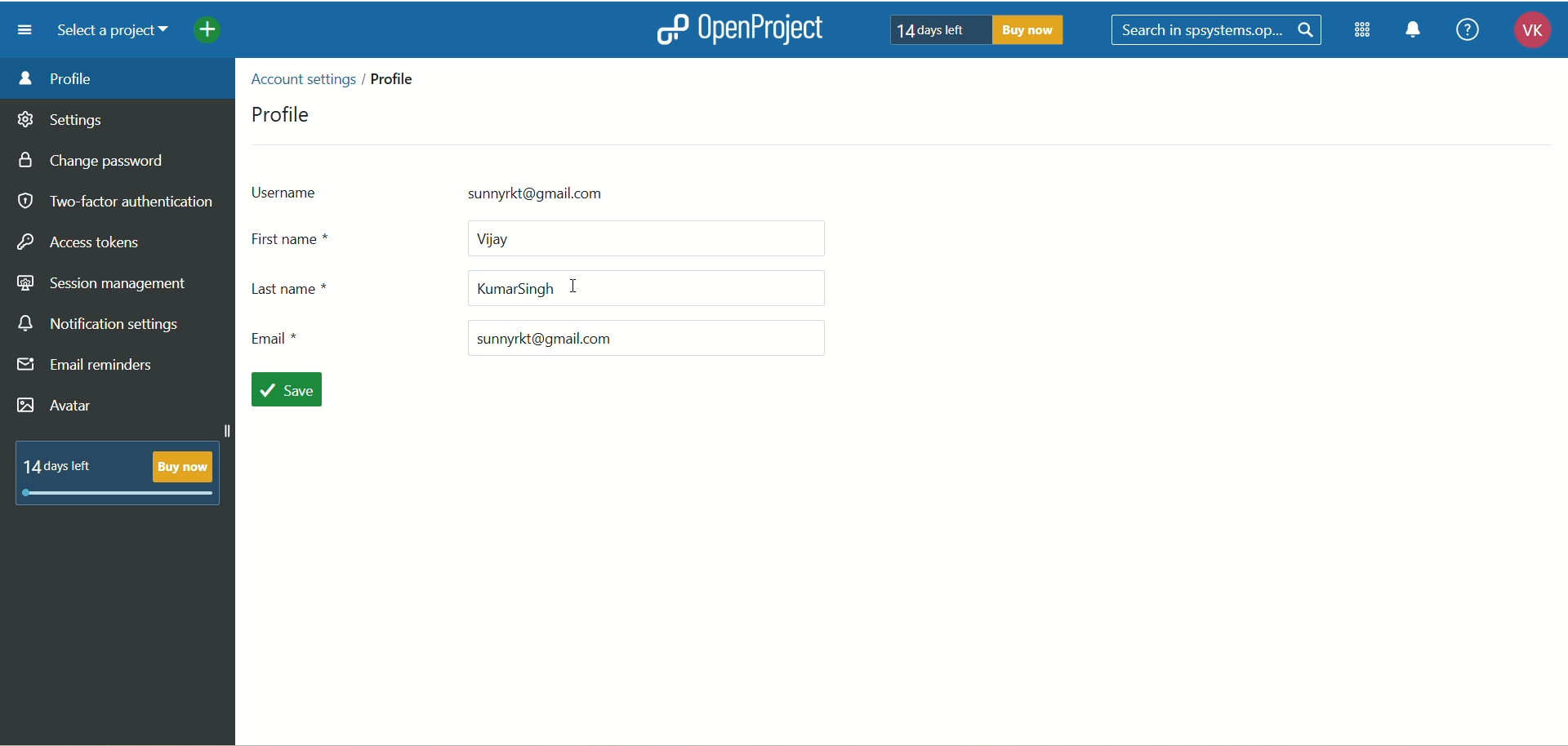  Describe the element at coordinates (770, 31) in the screenshot. I see `openproject` at that location.